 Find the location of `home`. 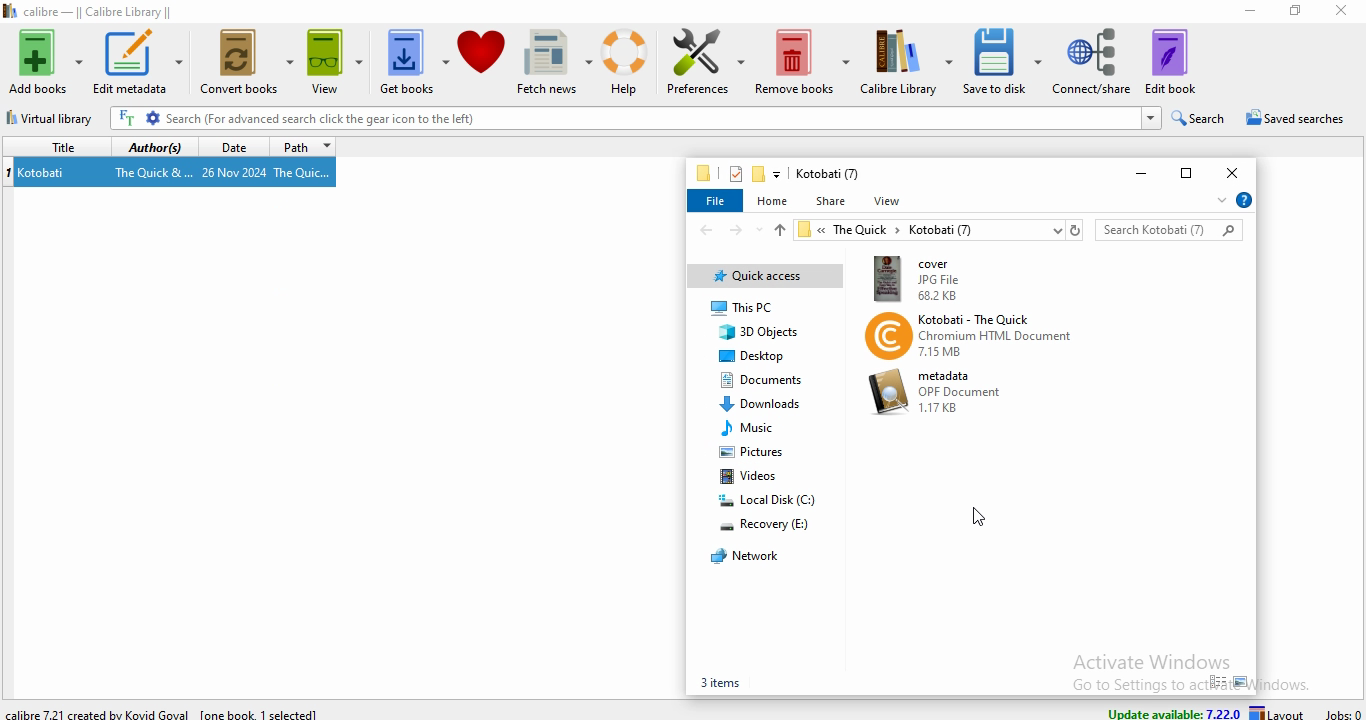

home is located at coordinates (774, 199).